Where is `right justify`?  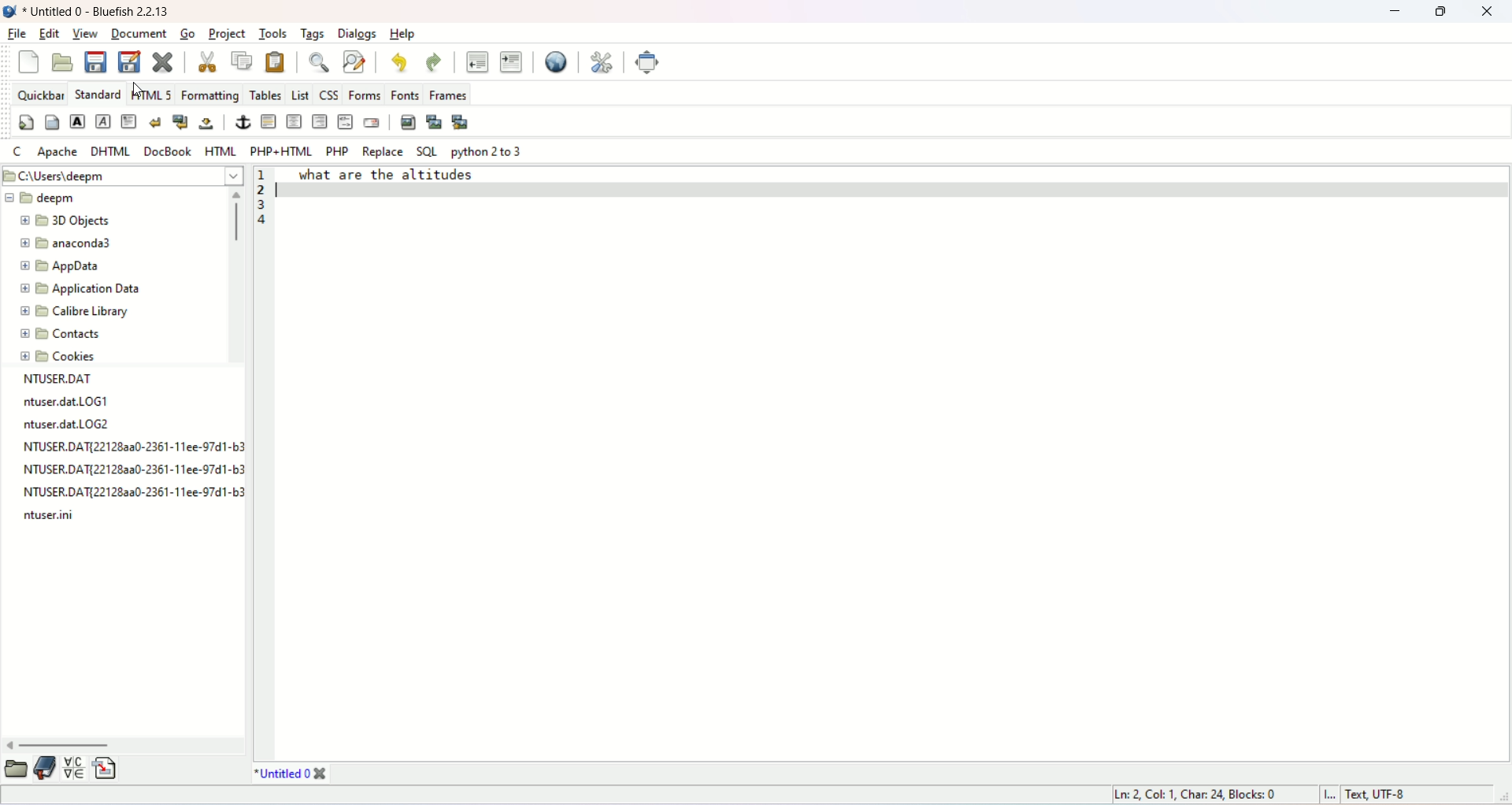 right justify is located at coordinates (321, 121).